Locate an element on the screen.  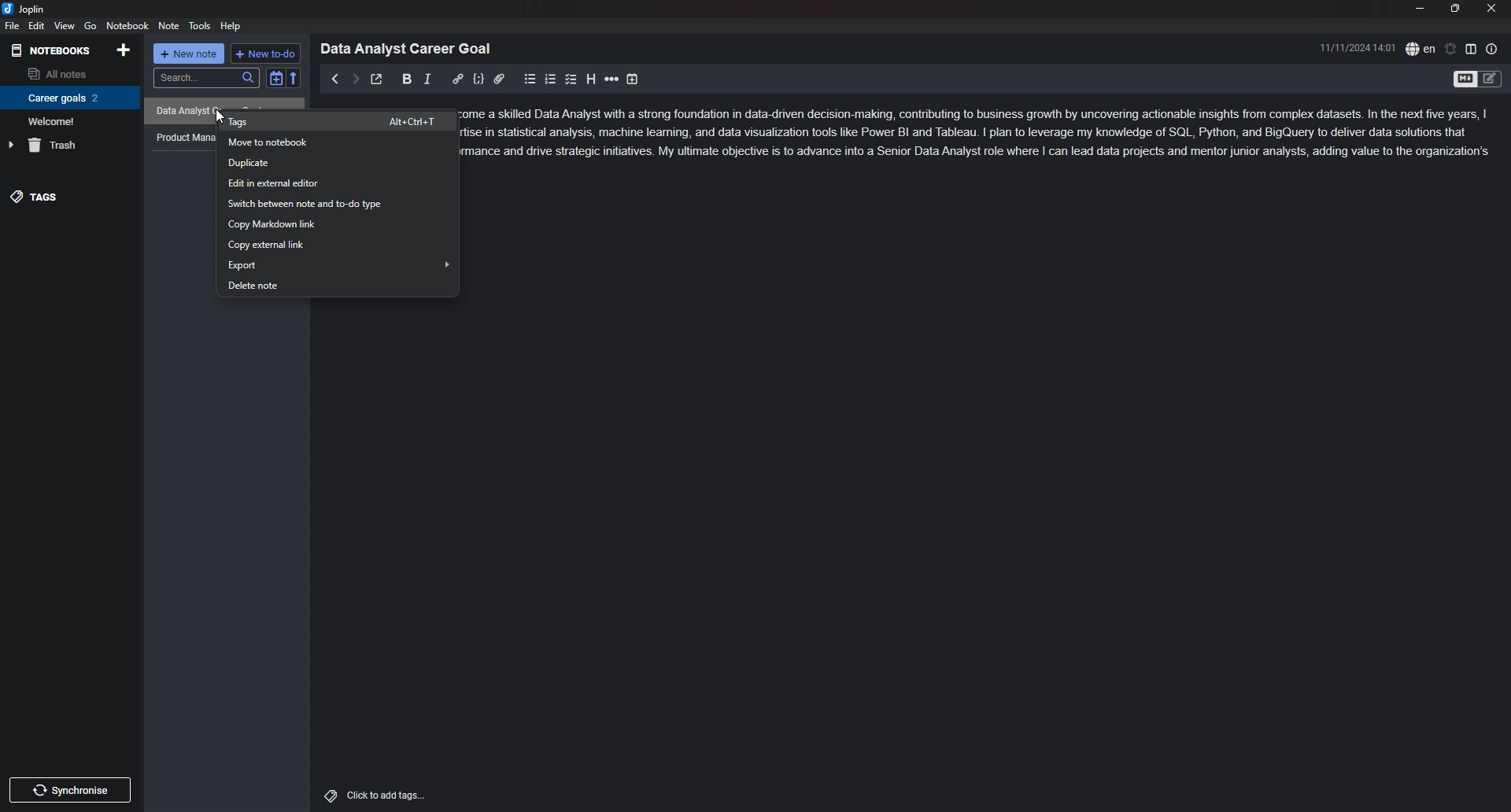
numbered list is located at coordinates (551, 80).